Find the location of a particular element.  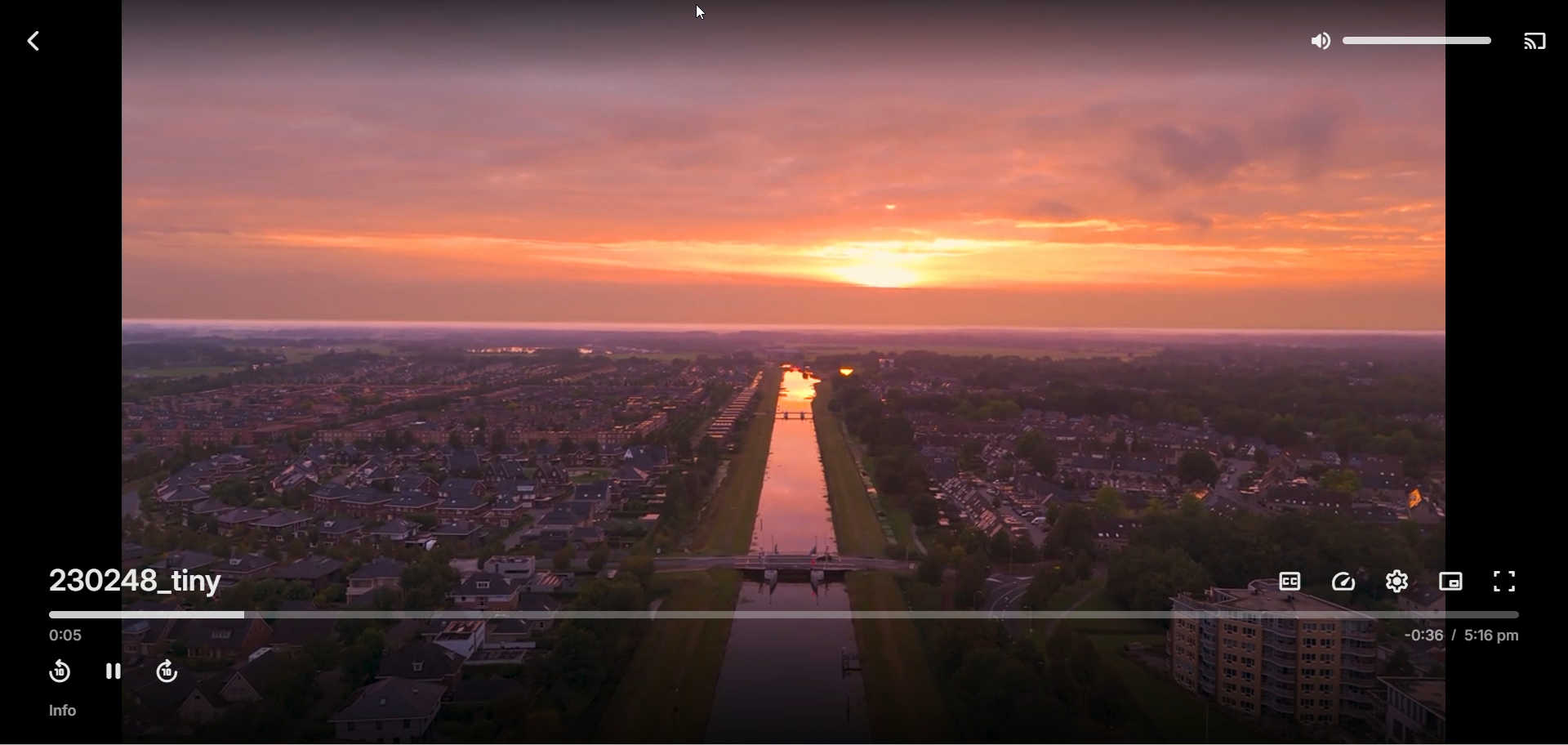

-0.36 / 5.16 pm is located at coordinates (1463, 640).